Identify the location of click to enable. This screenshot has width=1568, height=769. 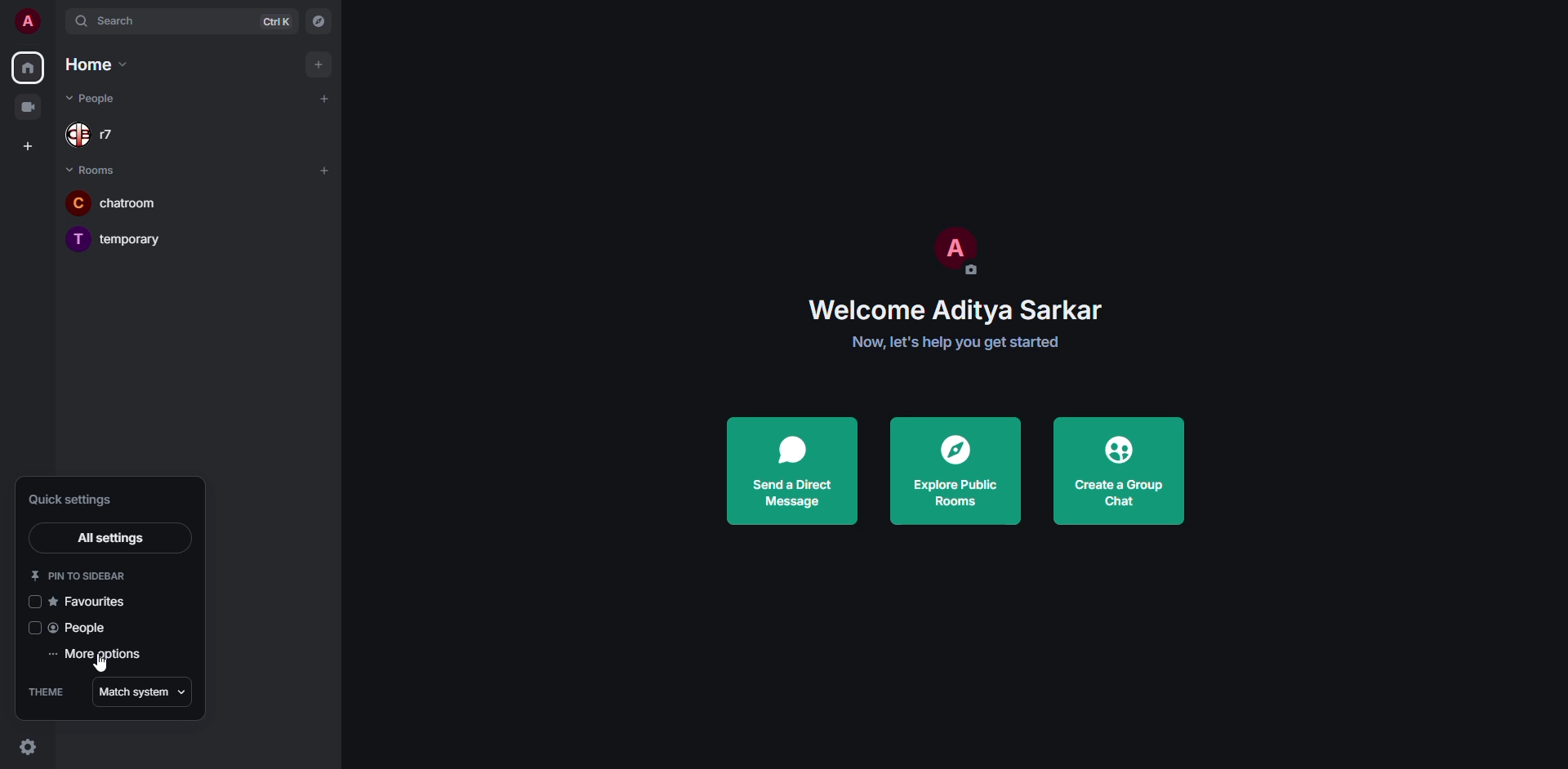
(34, 600).